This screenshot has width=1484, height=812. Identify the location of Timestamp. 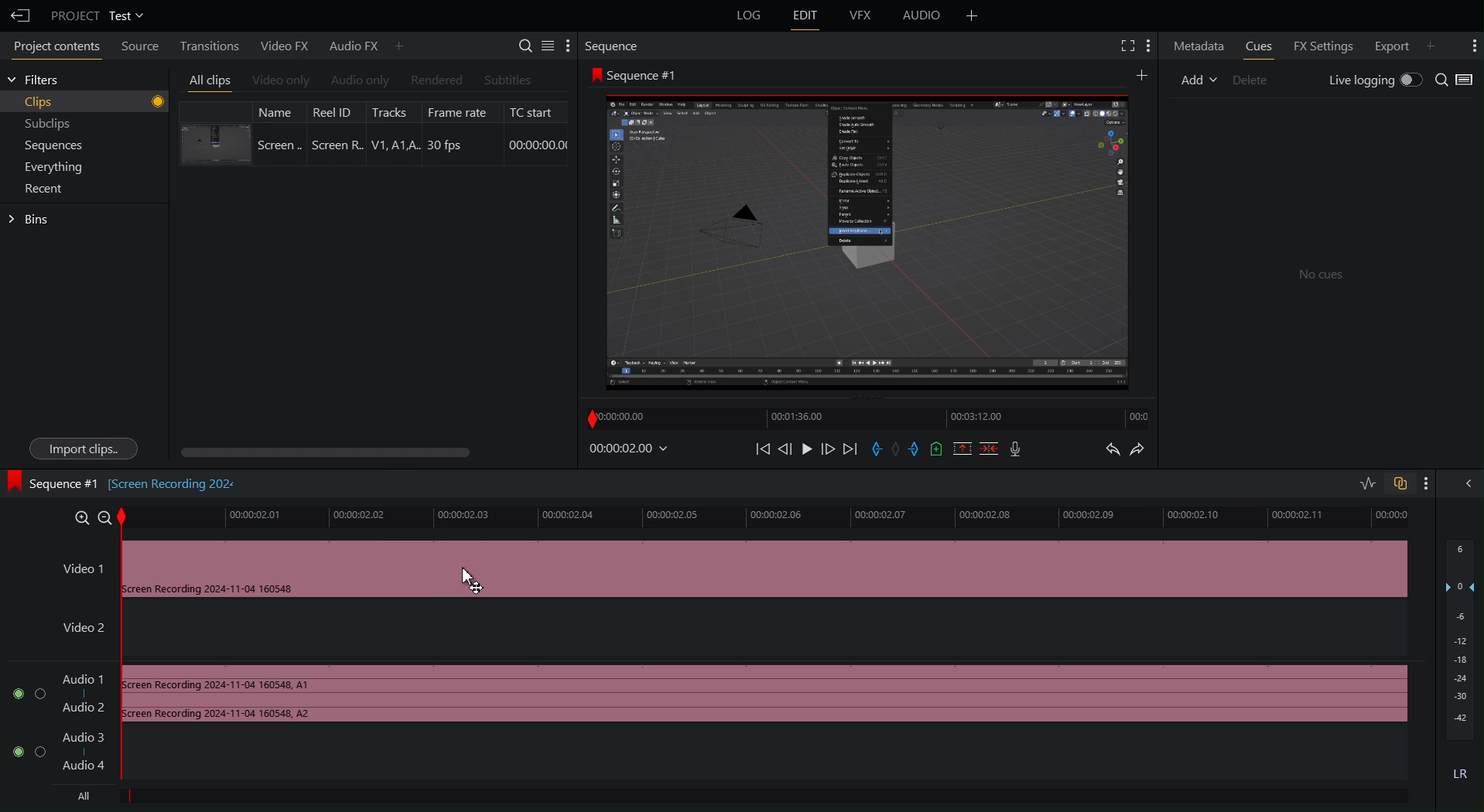
(627, 451).